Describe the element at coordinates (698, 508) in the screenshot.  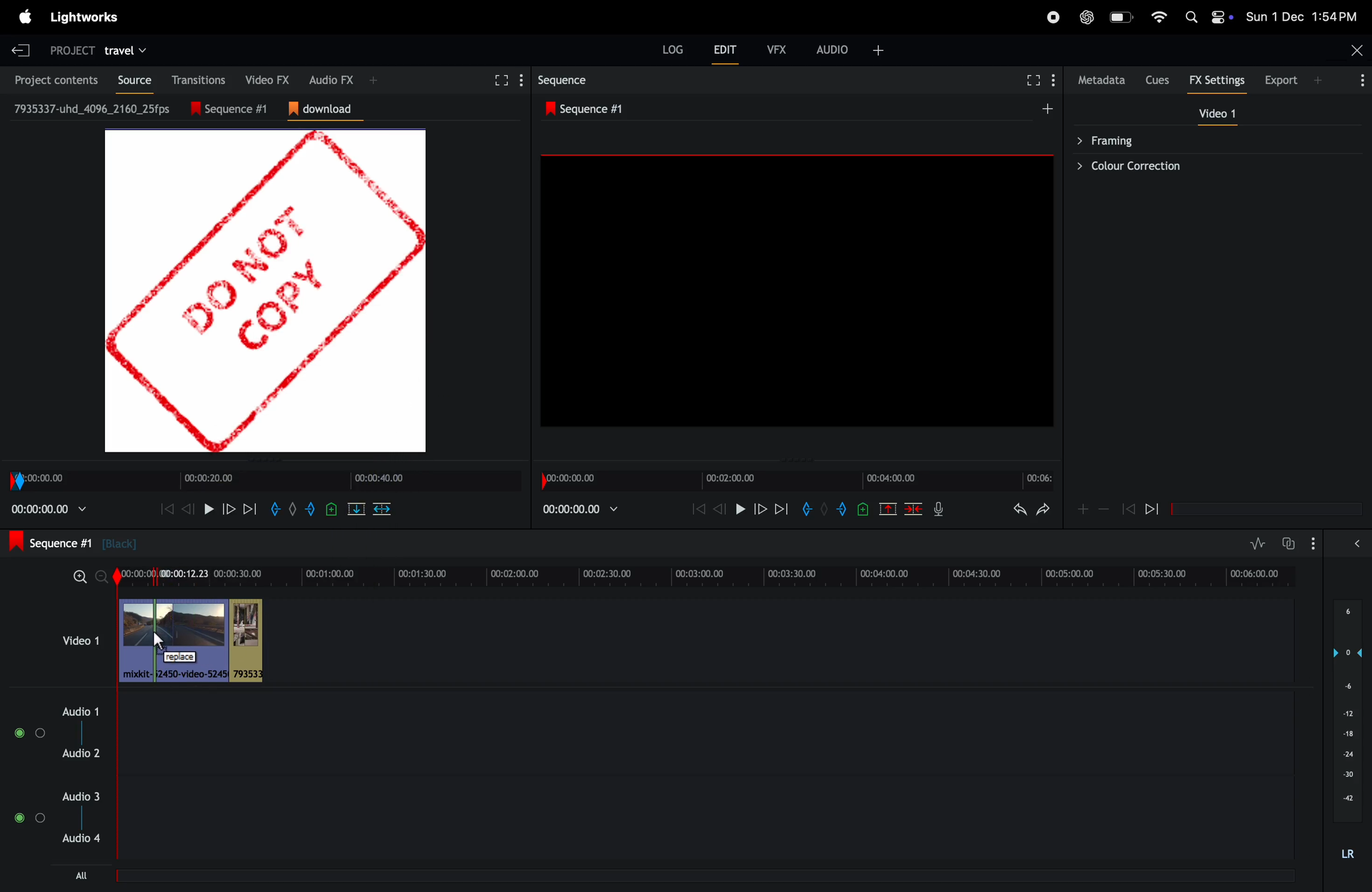
I see `rewind` at that location.